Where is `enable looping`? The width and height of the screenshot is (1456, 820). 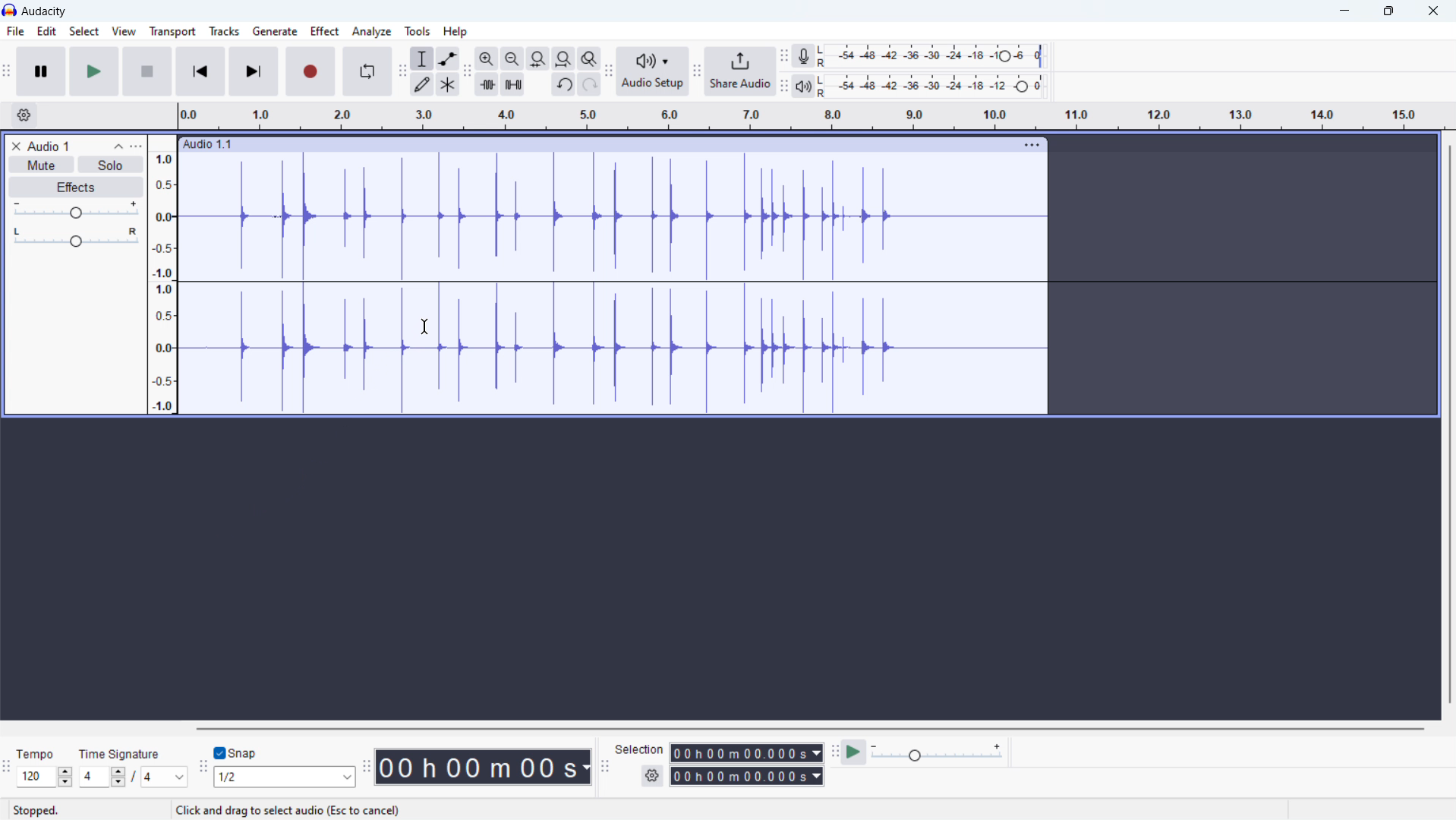
enable looping is located at coordinates (367, 72).